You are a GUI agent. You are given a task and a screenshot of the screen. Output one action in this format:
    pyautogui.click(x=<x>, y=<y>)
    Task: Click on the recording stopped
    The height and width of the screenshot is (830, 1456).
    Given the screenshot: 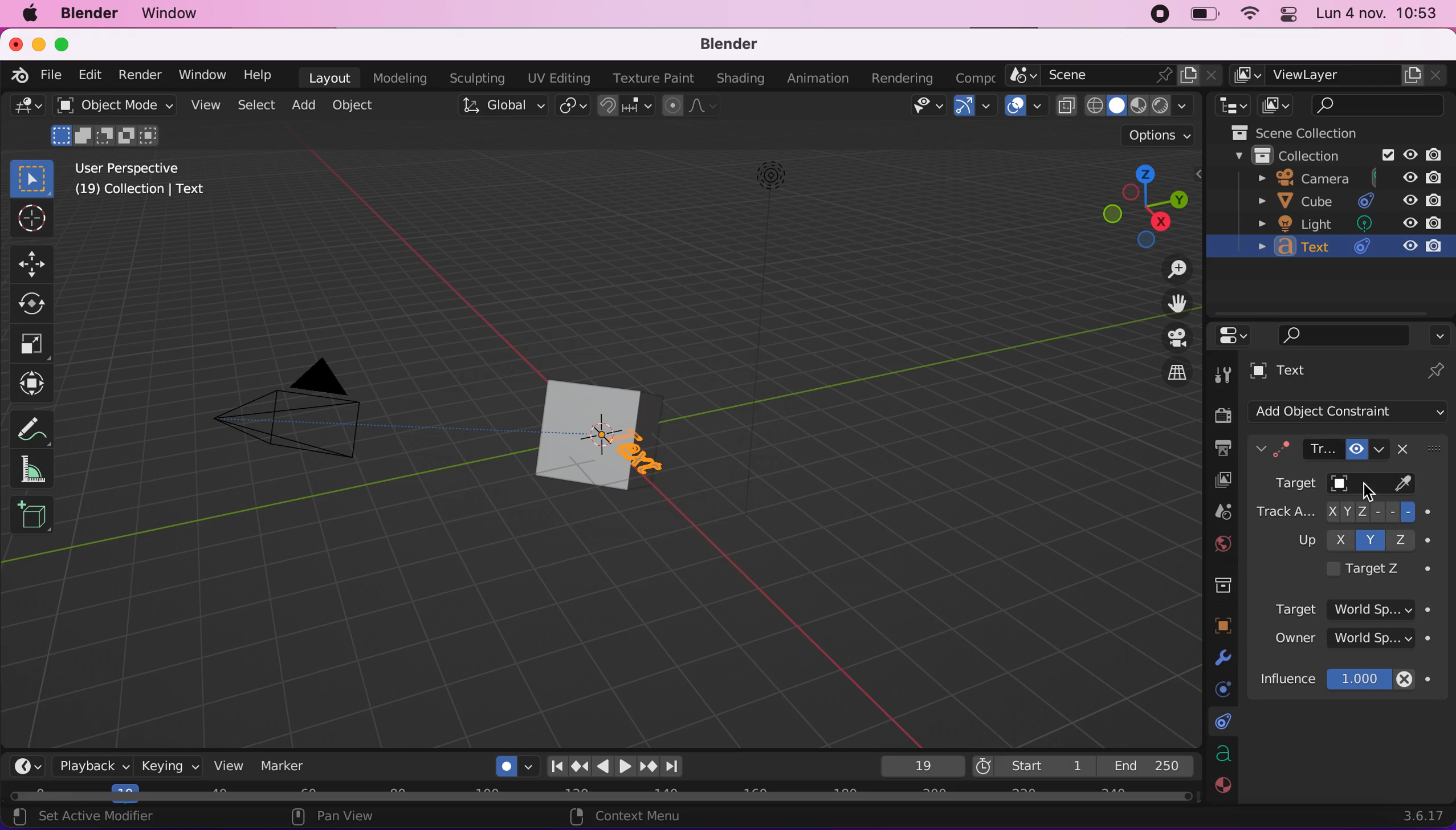 What is the action you would take?
    pyautogui.click(x=1156, y=15)
    